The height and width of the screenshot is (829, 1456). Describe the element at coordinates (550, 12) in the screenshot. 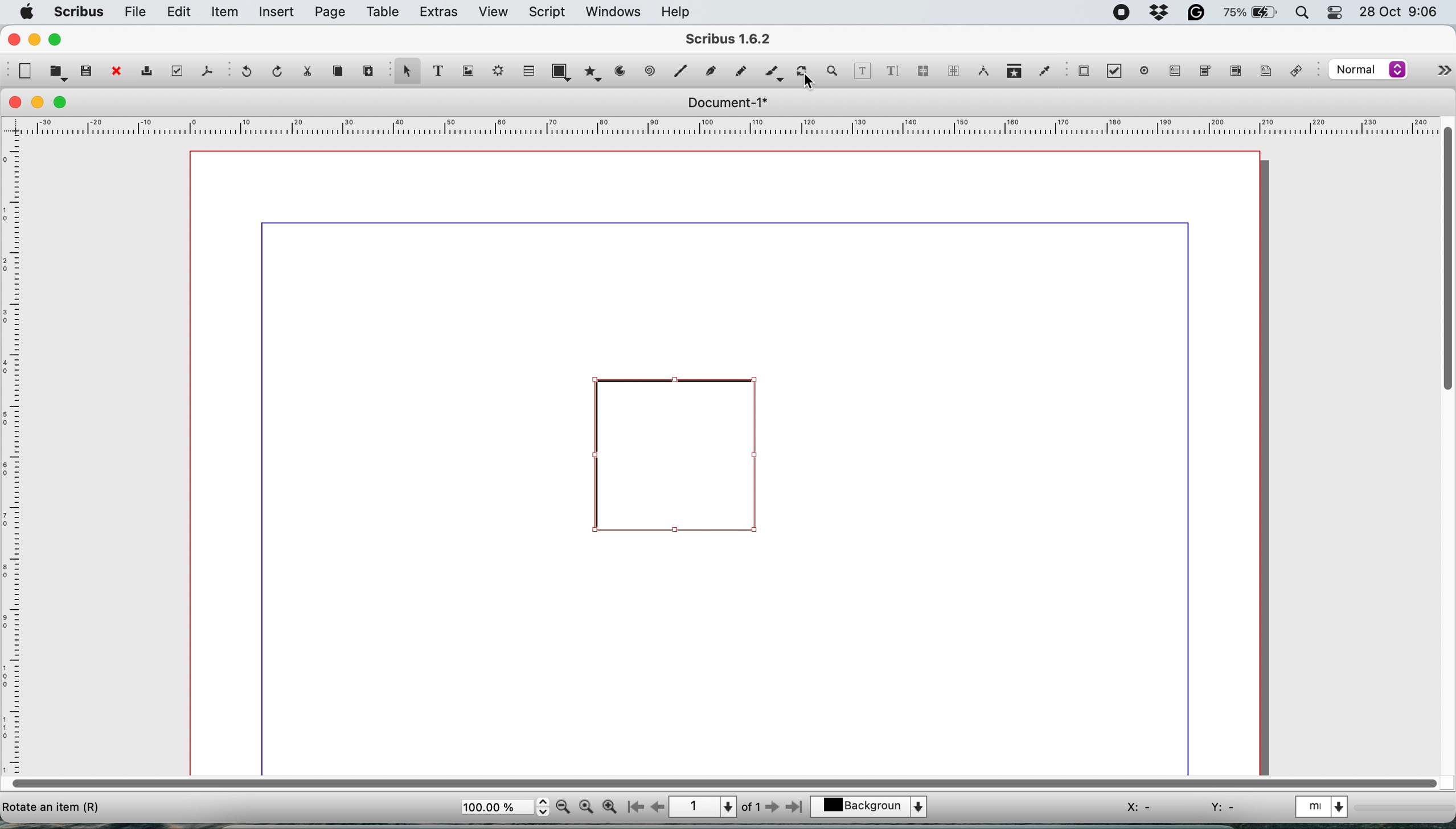

I see `script` at that location.